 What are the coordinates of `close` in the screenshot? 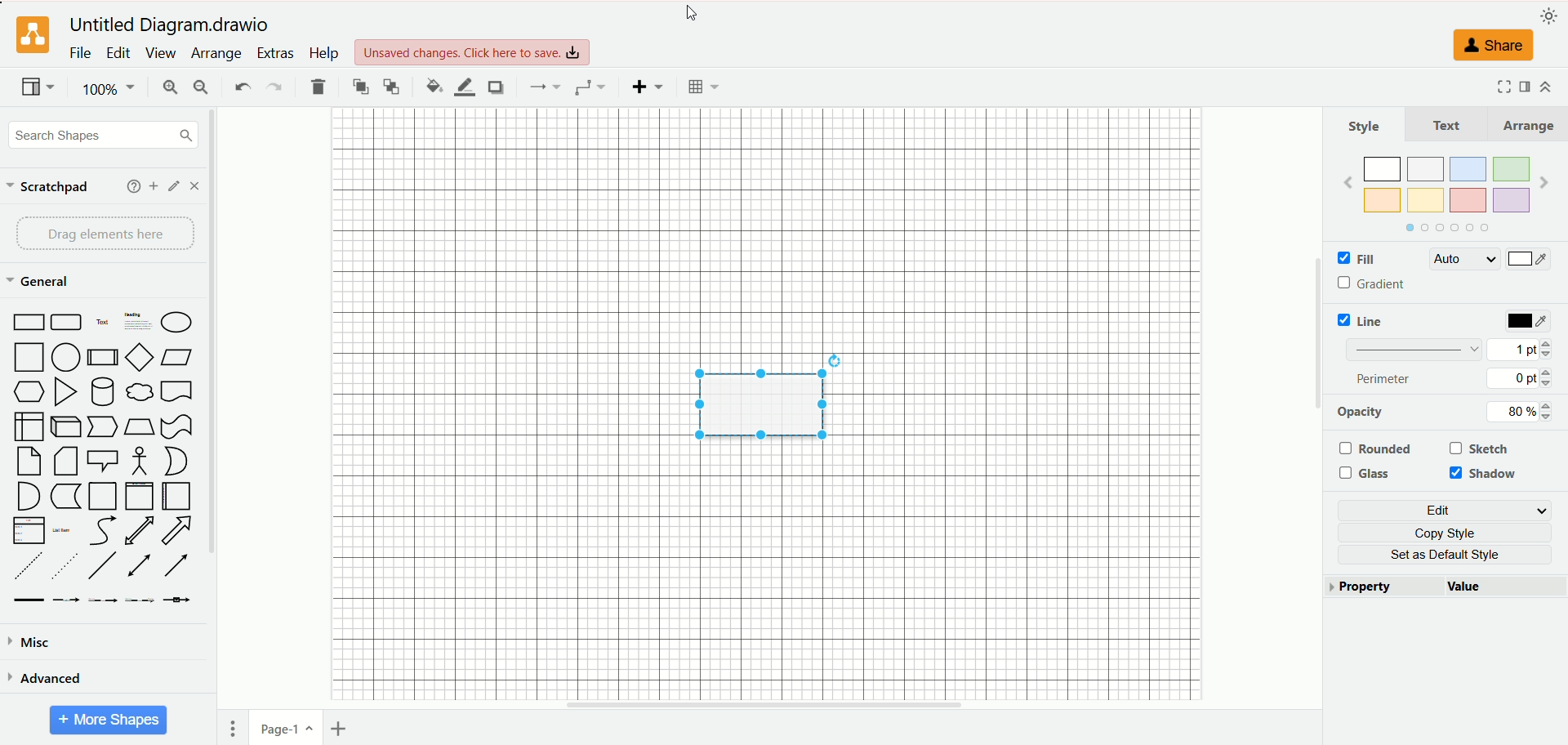 It's located at (194, 186).